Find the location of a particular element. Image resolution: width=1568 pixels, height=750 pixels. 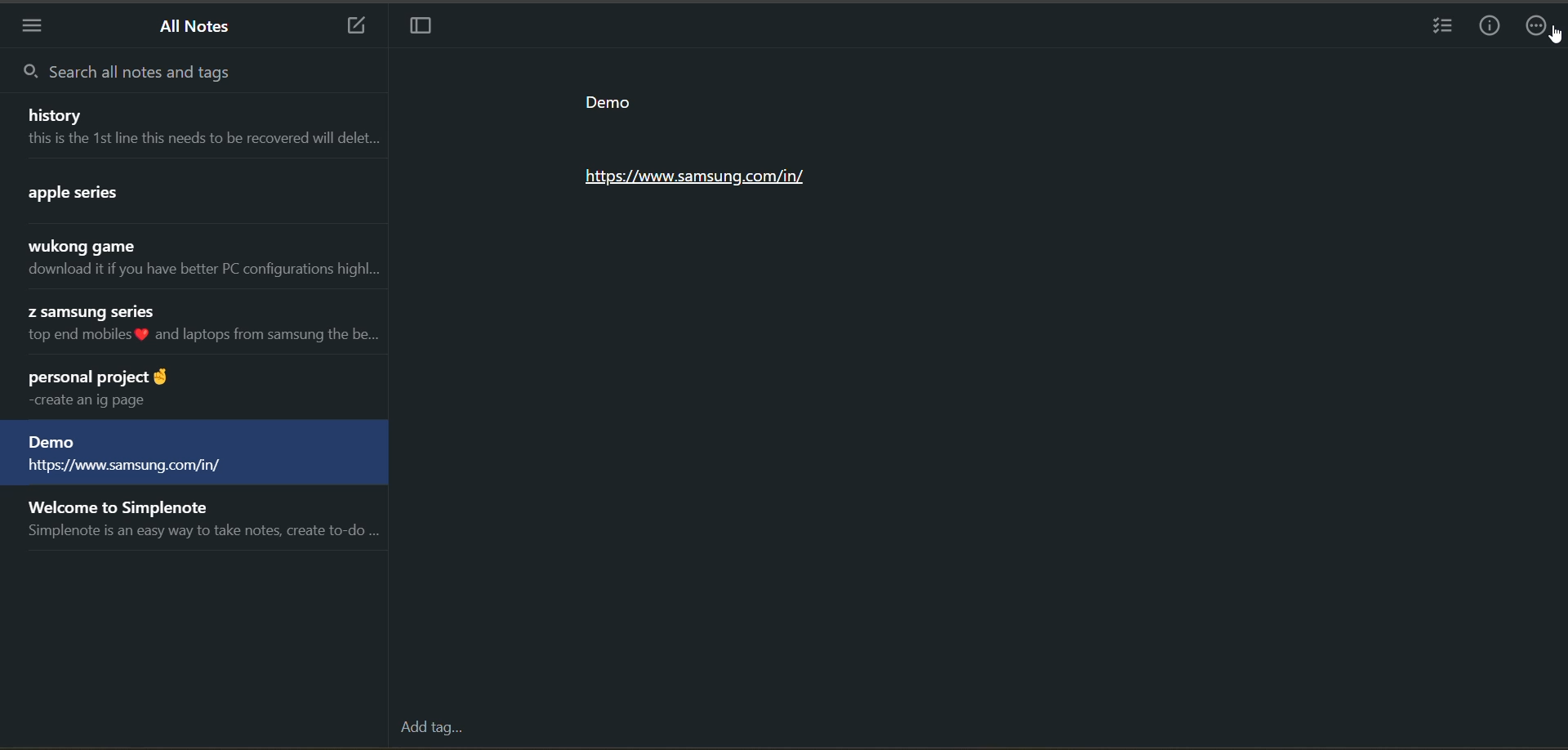

actions is located at coordinates (1541, 28).